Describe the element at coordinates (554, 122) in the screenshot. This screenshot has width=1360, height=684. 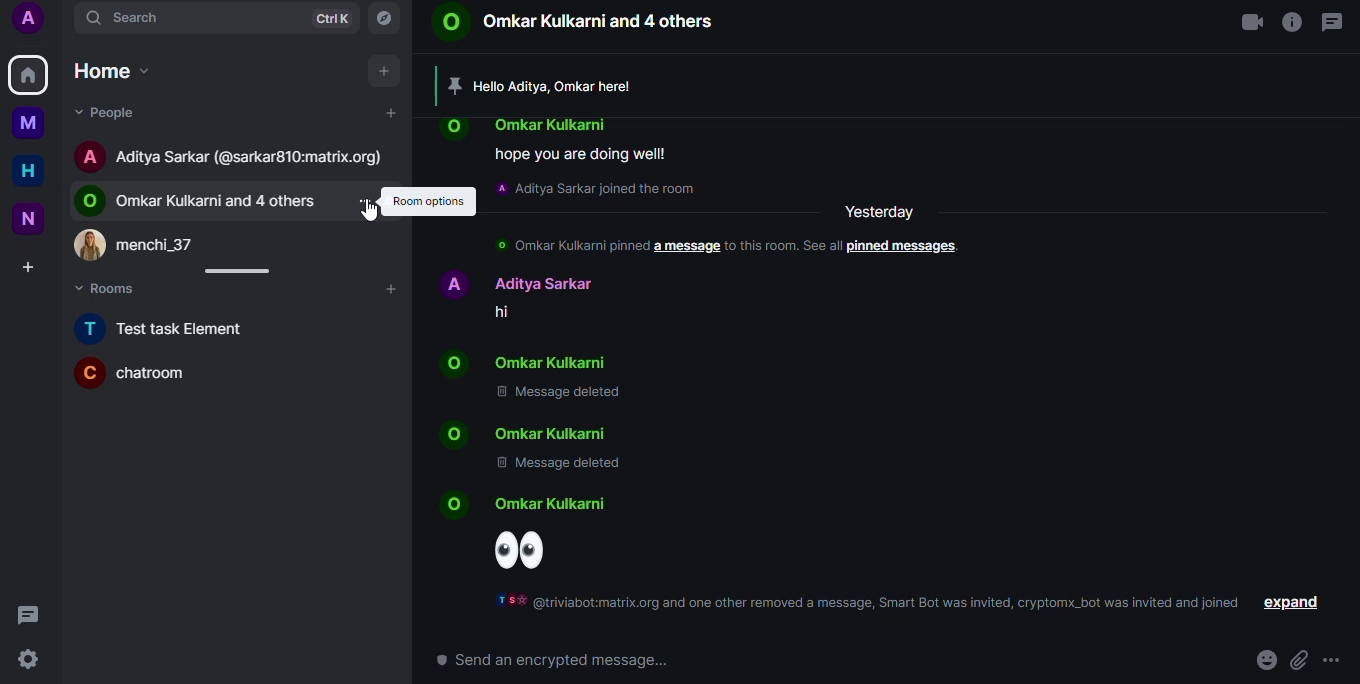
I see `‘Omkar Kulkarni` at that location.